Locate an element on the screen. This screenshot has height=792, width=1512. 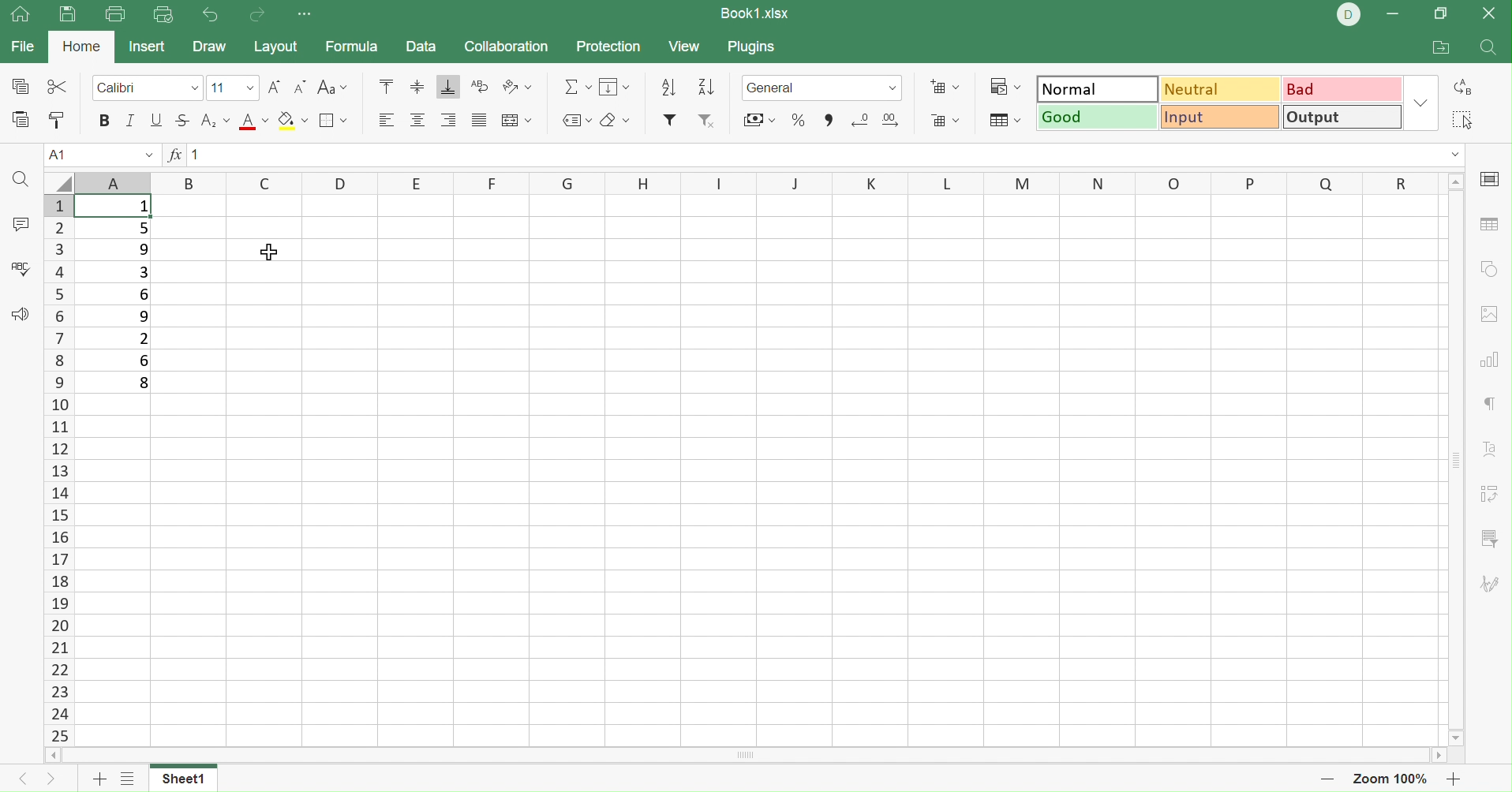
Add sheet is located at coordinates (97, 779).